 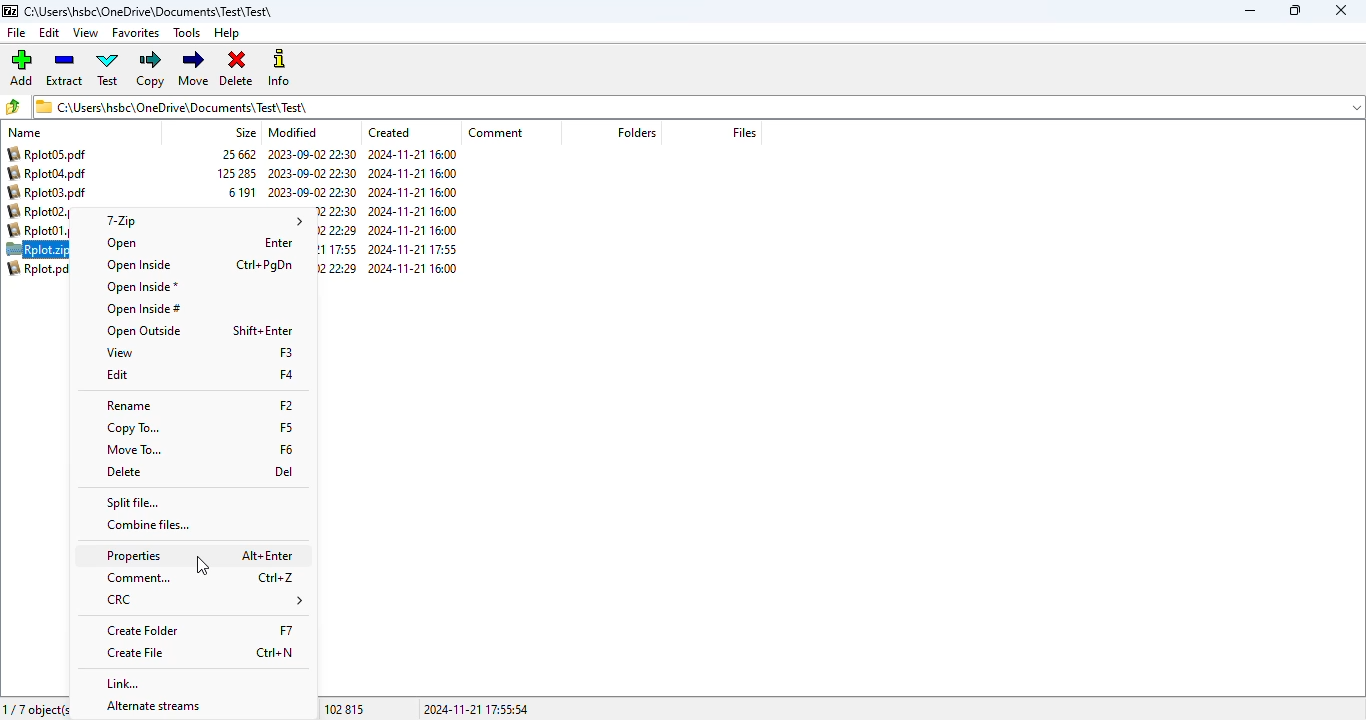 What do you see at coordinates (125, 244) in the screenshot?
I see `open` at bounding box center [125, 244].